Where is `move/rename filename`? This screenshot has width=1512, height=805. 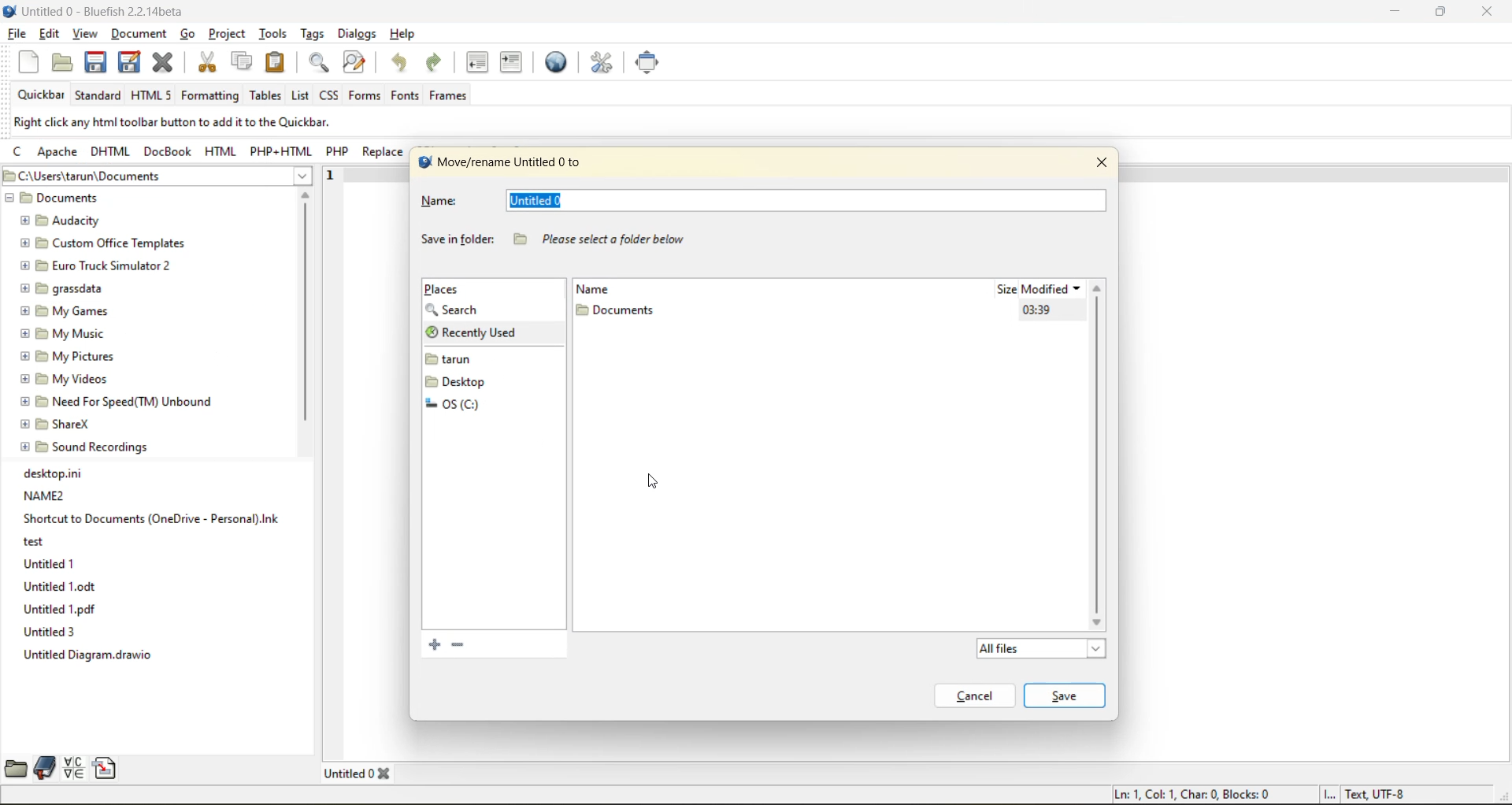 move/rename filename is located at coordinates (513, 164).